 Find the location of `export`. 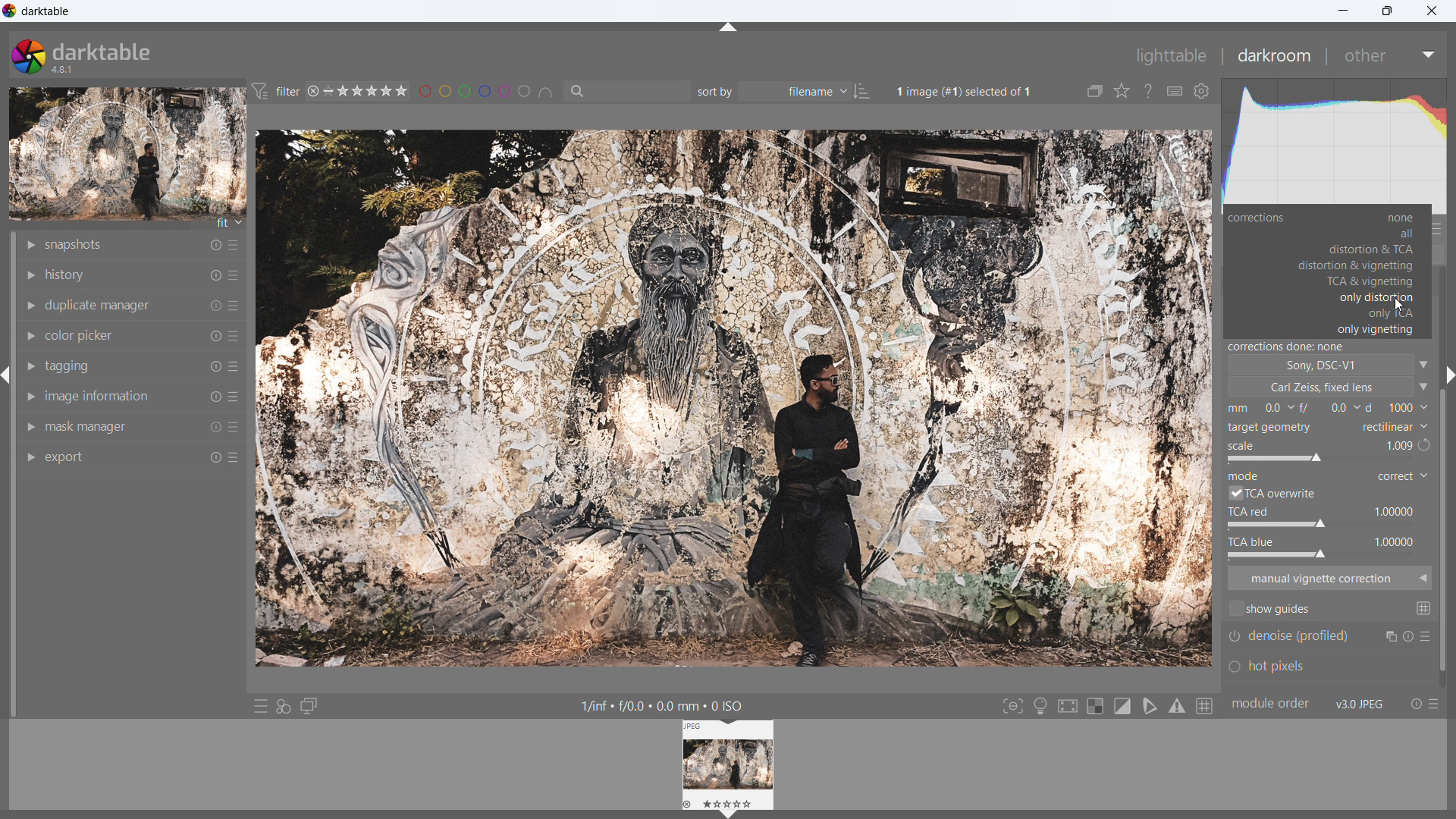

export is located at coordinates (65, 457).